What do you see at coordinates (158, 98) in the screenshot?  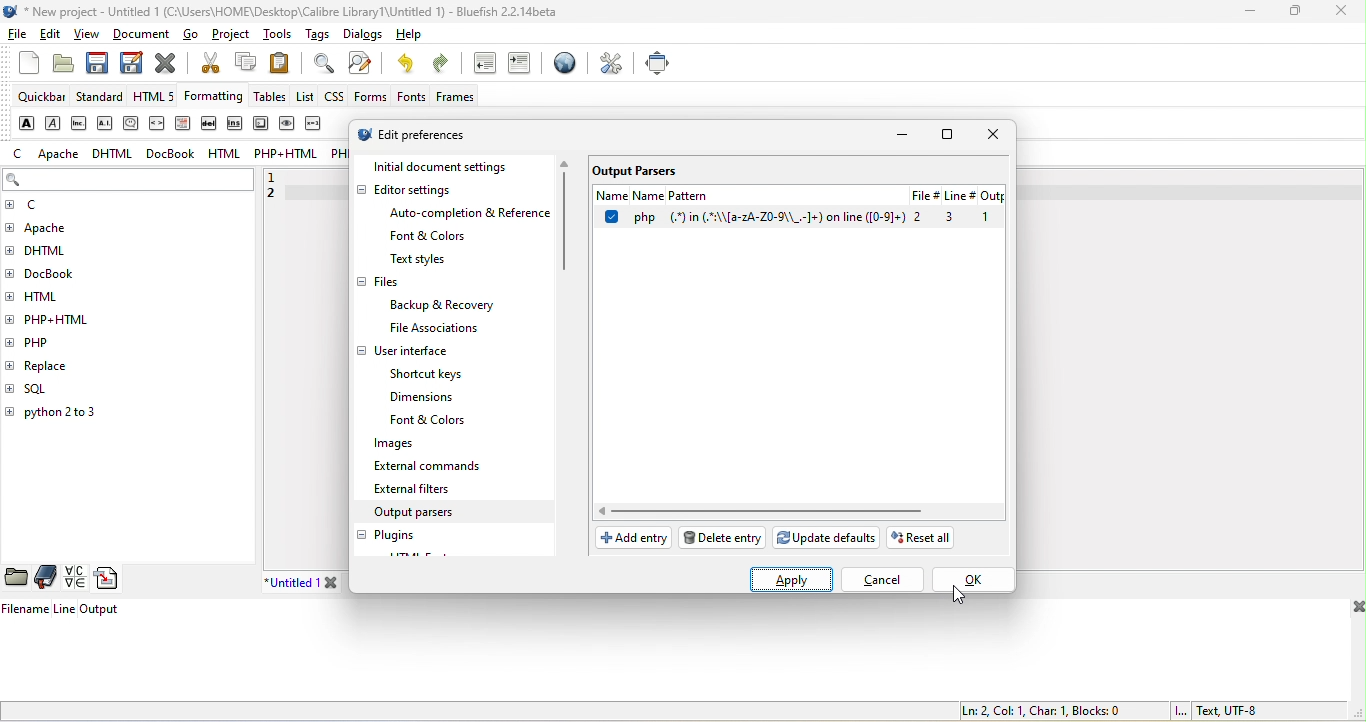 I see `html 5` at bounding box center [158, 98].